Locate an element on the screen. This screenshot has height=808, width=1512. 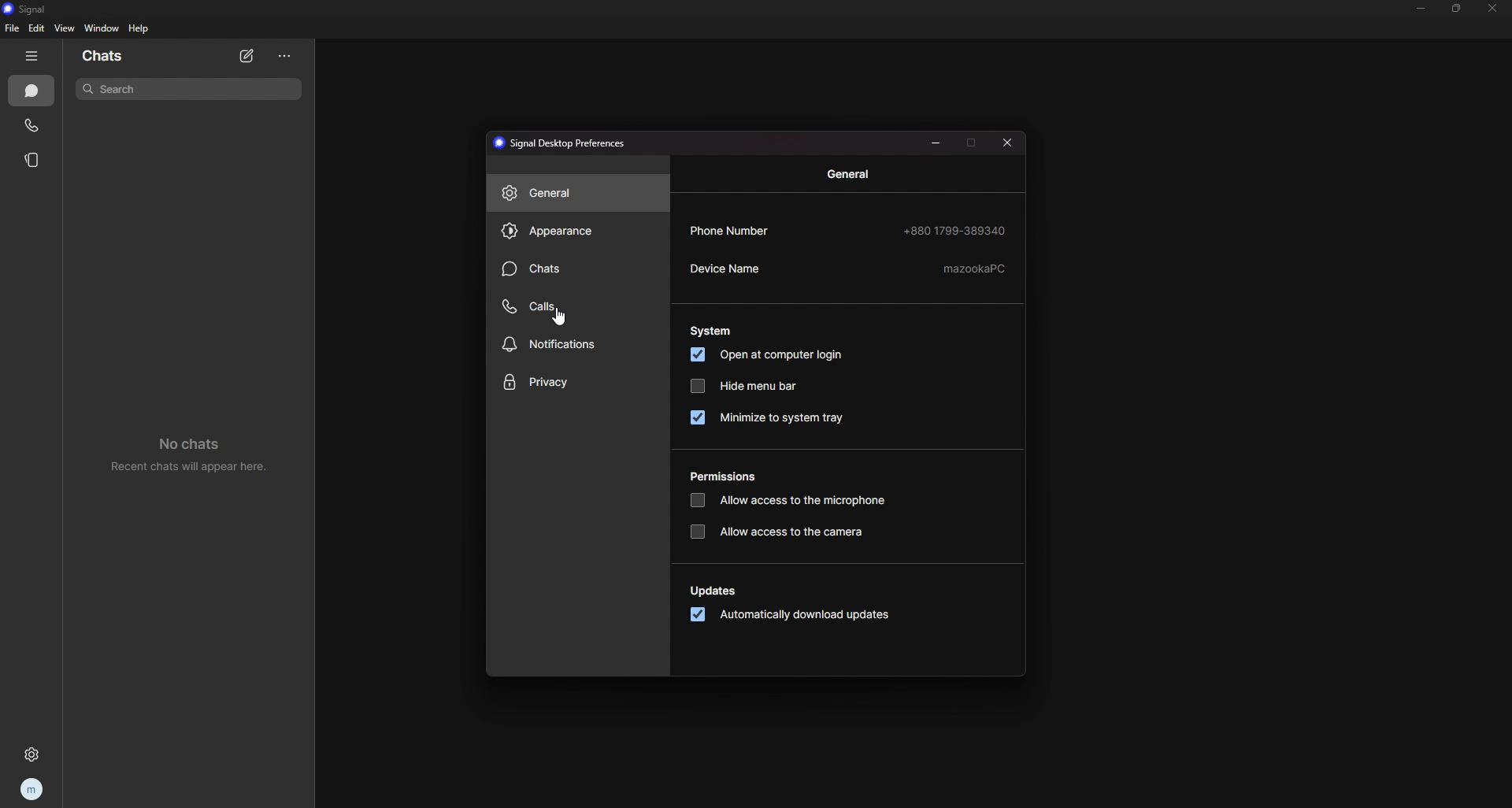
allow access to the camera is located at coordinates (781, 532).